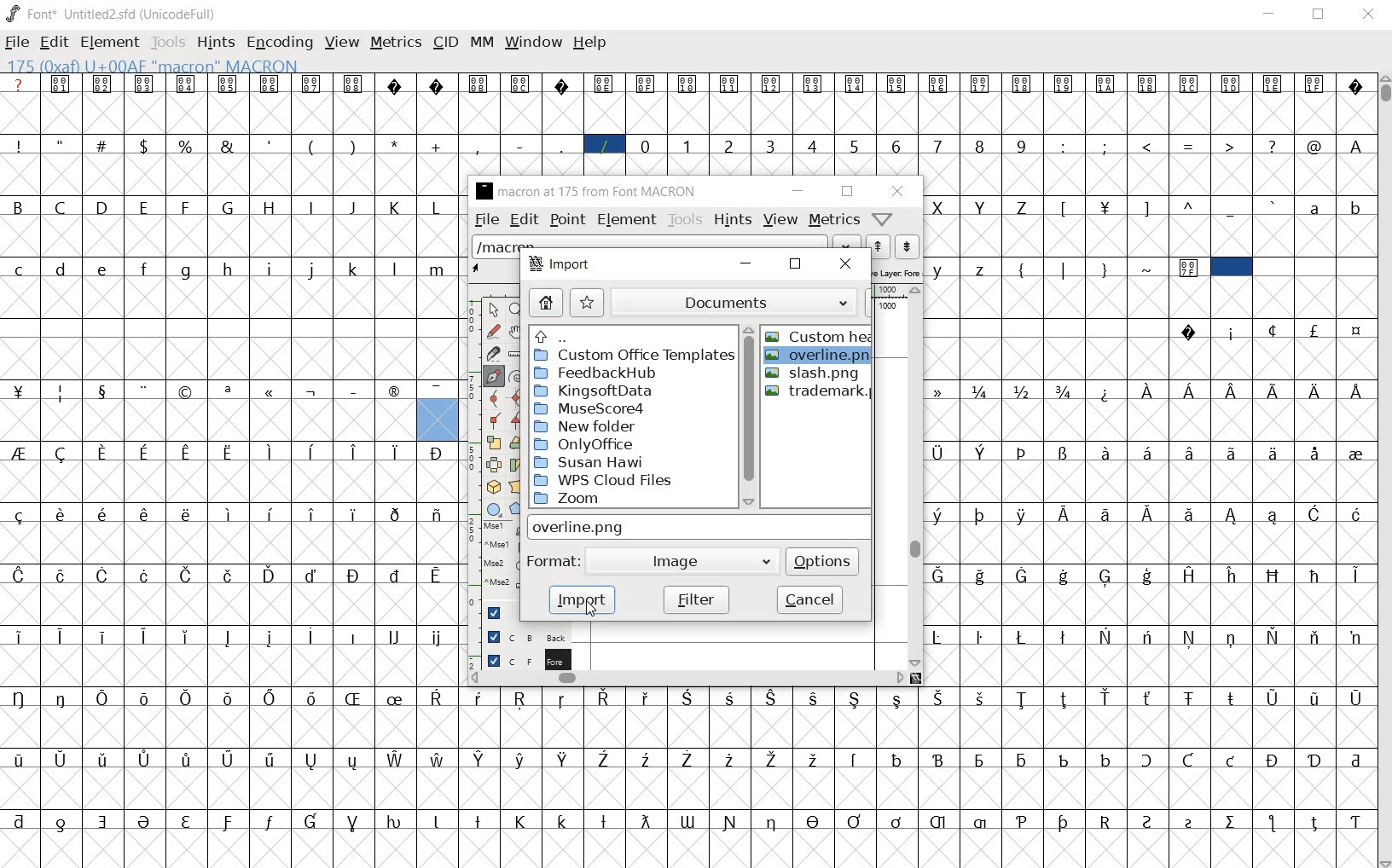 This screenshot has width=1392, height=868. Describe the element at coordinates (397, 697) in the screenshot. I see `Symbol` at that location.